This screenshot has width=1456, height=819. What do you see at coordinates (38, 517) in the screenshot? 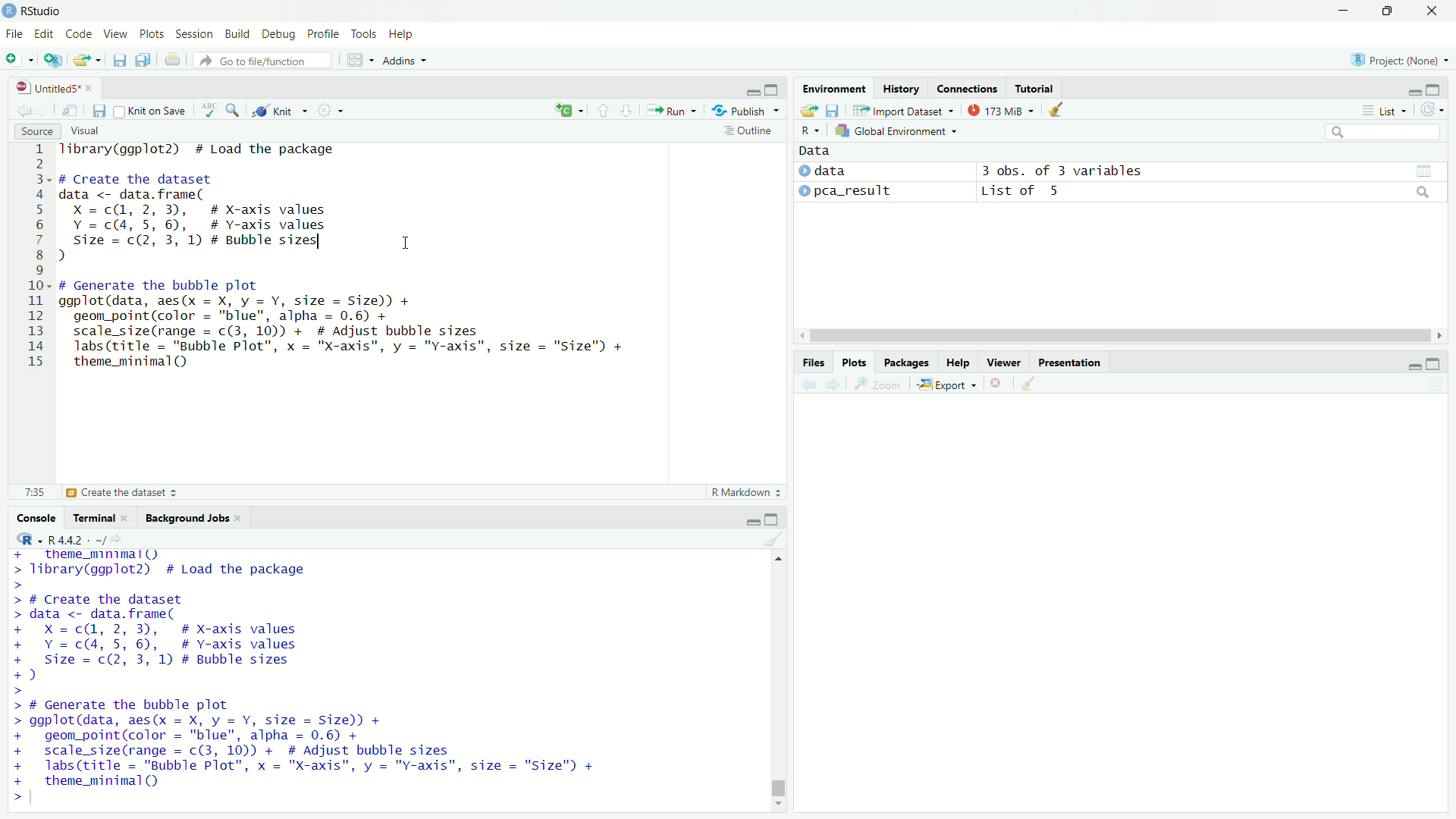
I see `Console` at bounding box center [38, 517].